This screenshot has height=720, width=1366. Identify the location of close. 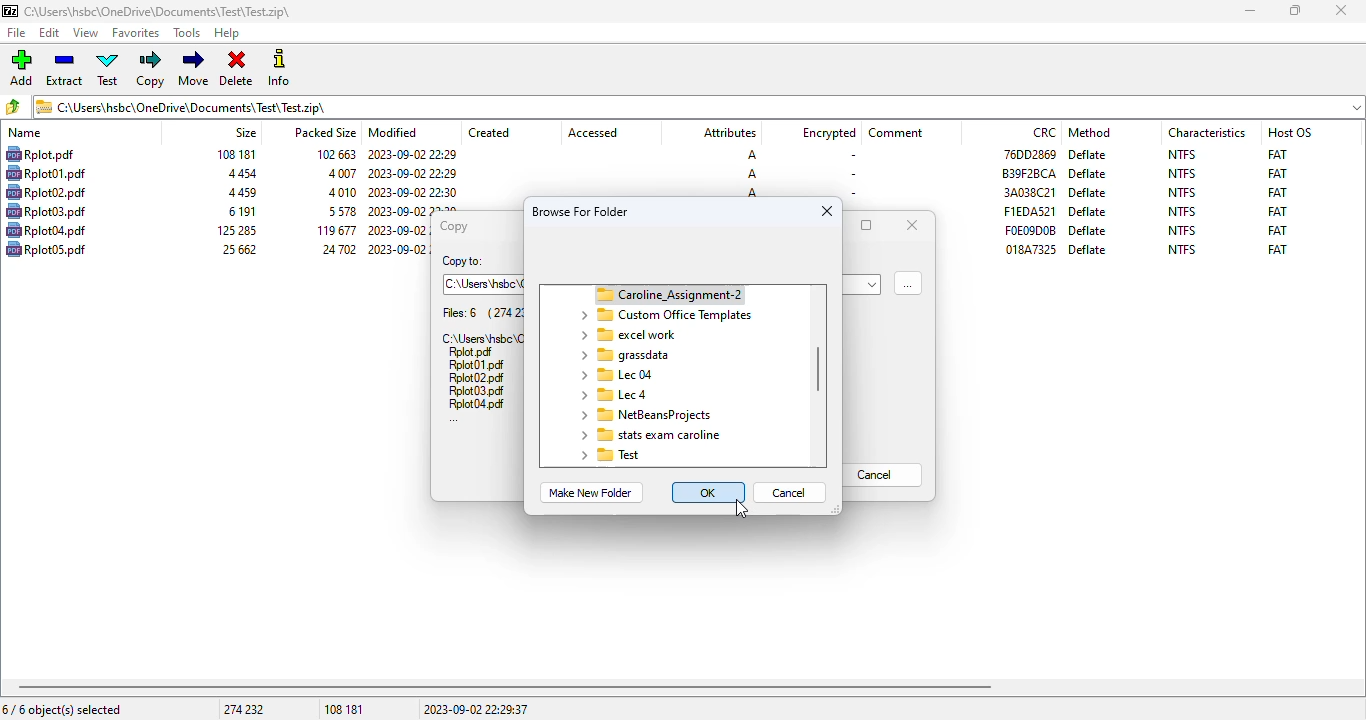
(827, 211).